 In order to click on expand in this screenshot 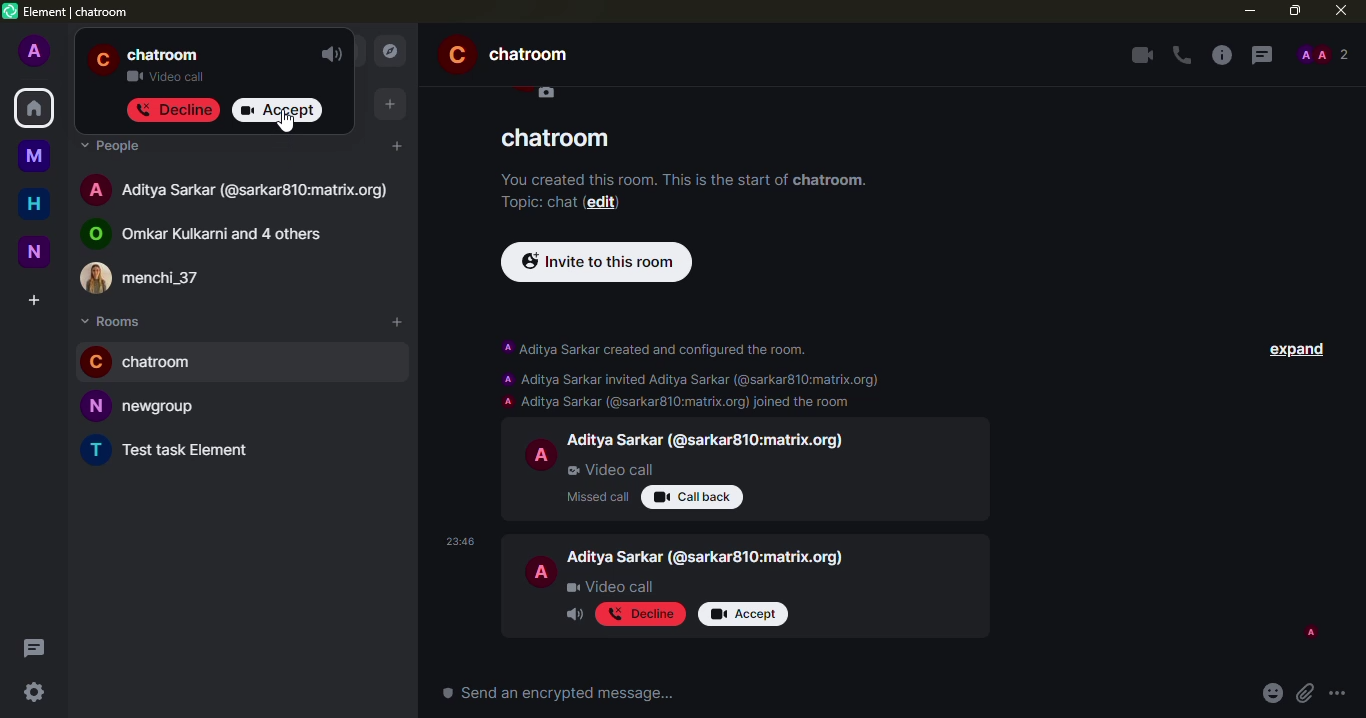, I will do `click(1293, 349)`.